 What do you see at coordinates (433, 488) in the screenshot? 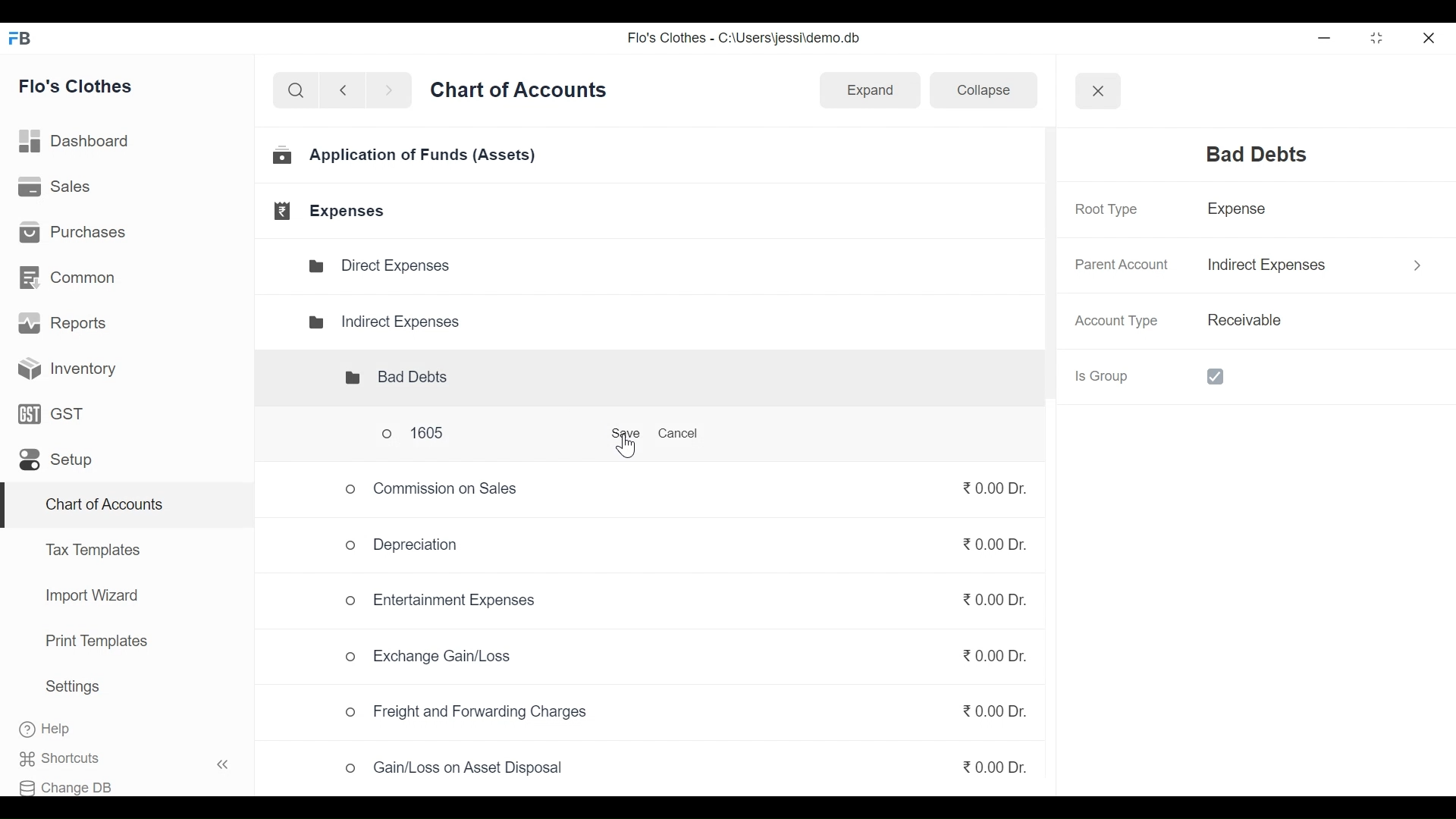
I see `Commission on Sales` at bounding box center [433, 488].